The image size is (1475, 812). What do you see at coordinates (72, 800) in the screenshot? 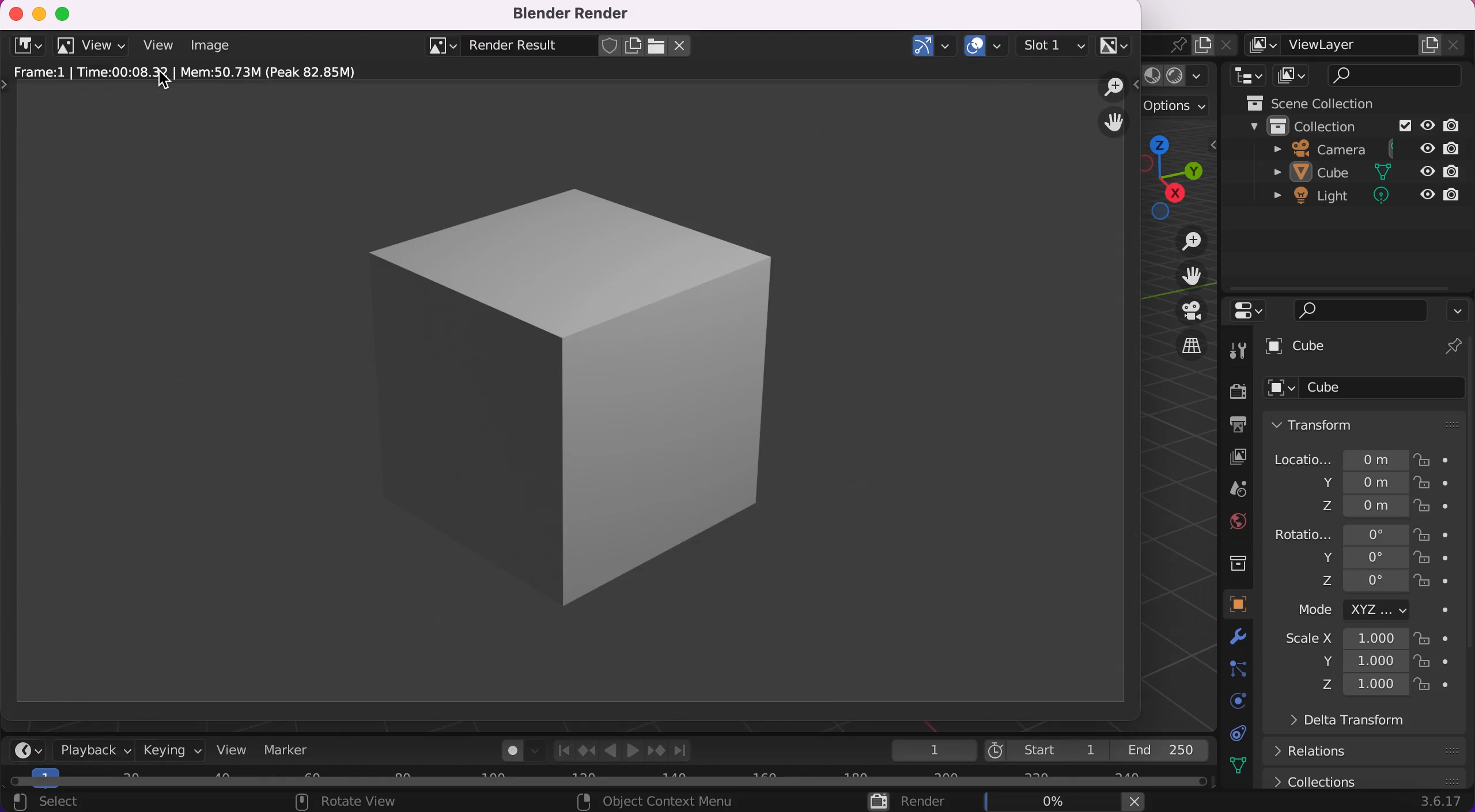
I see `select` at bounding box center [72, 800].